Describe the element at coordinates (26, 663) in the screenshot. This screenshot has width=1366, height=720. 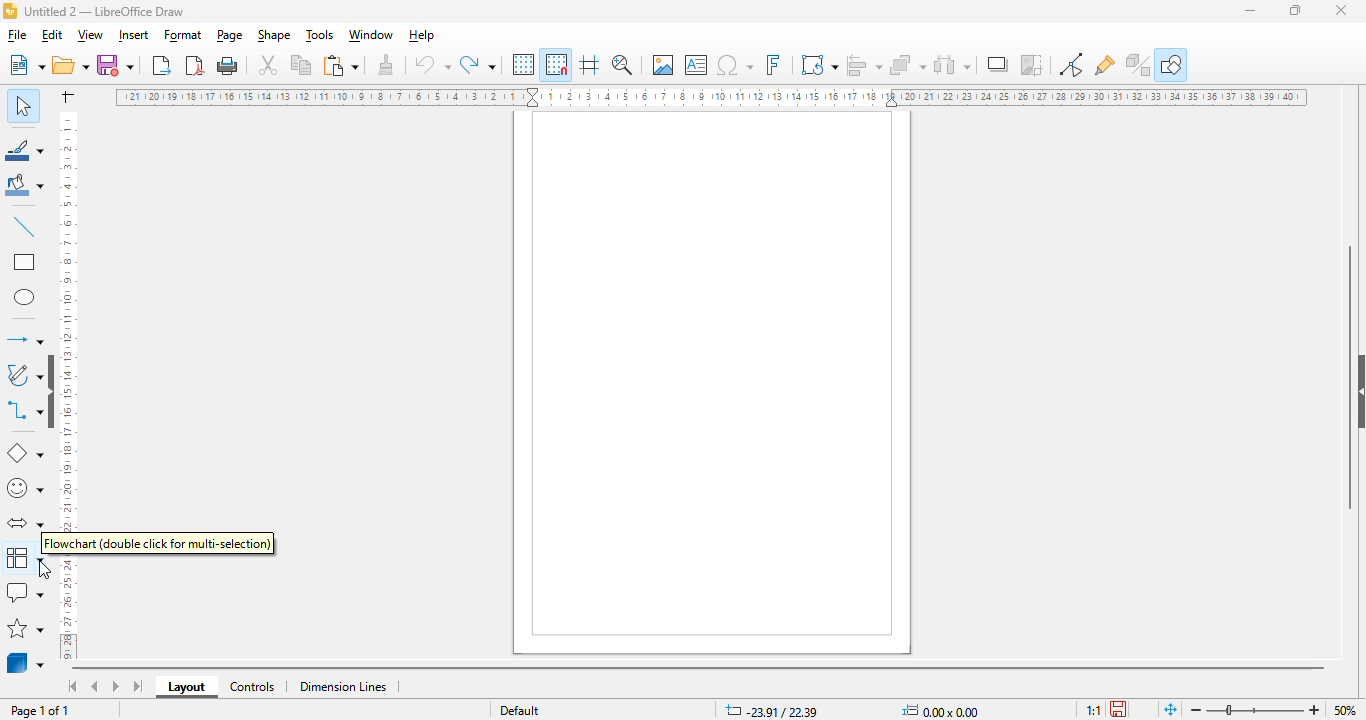
I see `3D objects` at that location.